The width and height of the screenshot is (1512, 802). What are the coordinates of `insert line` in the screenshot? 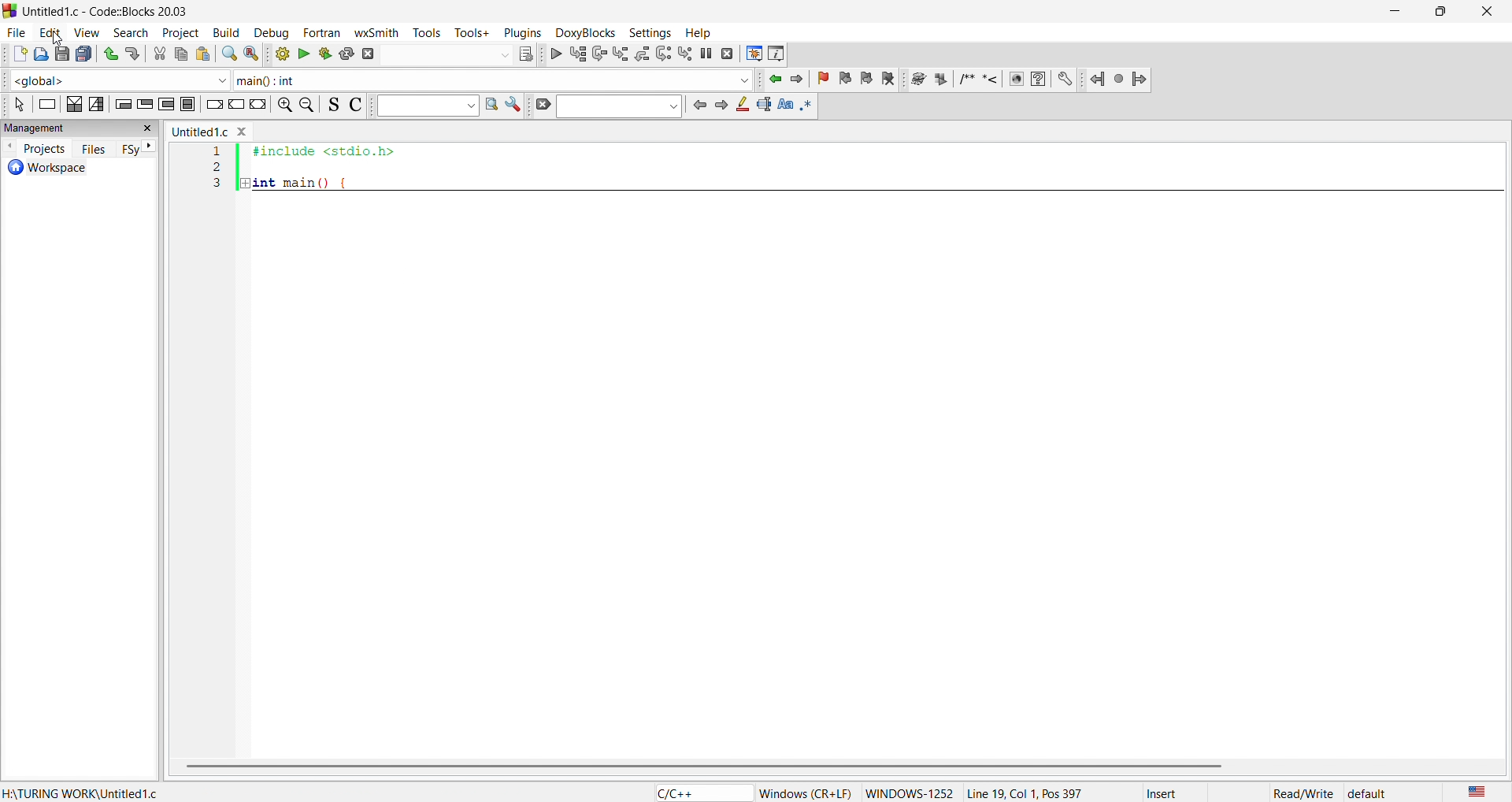 It's located at (993, 79).